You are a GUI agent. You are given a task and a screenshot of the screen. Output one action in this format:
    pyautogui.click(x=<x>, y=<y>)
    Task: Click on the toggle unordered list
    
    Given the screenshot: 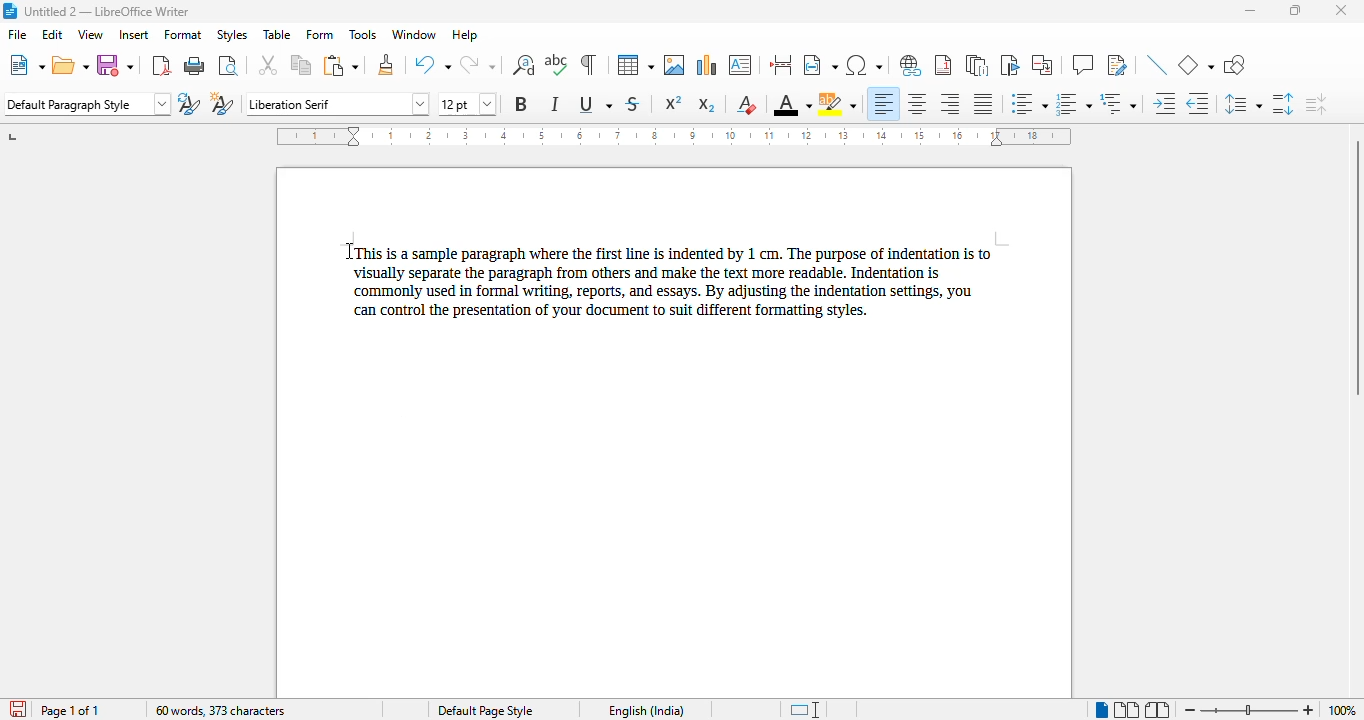 What is the action you would take?
    pyautogui.click(x=1029, y=103)
    